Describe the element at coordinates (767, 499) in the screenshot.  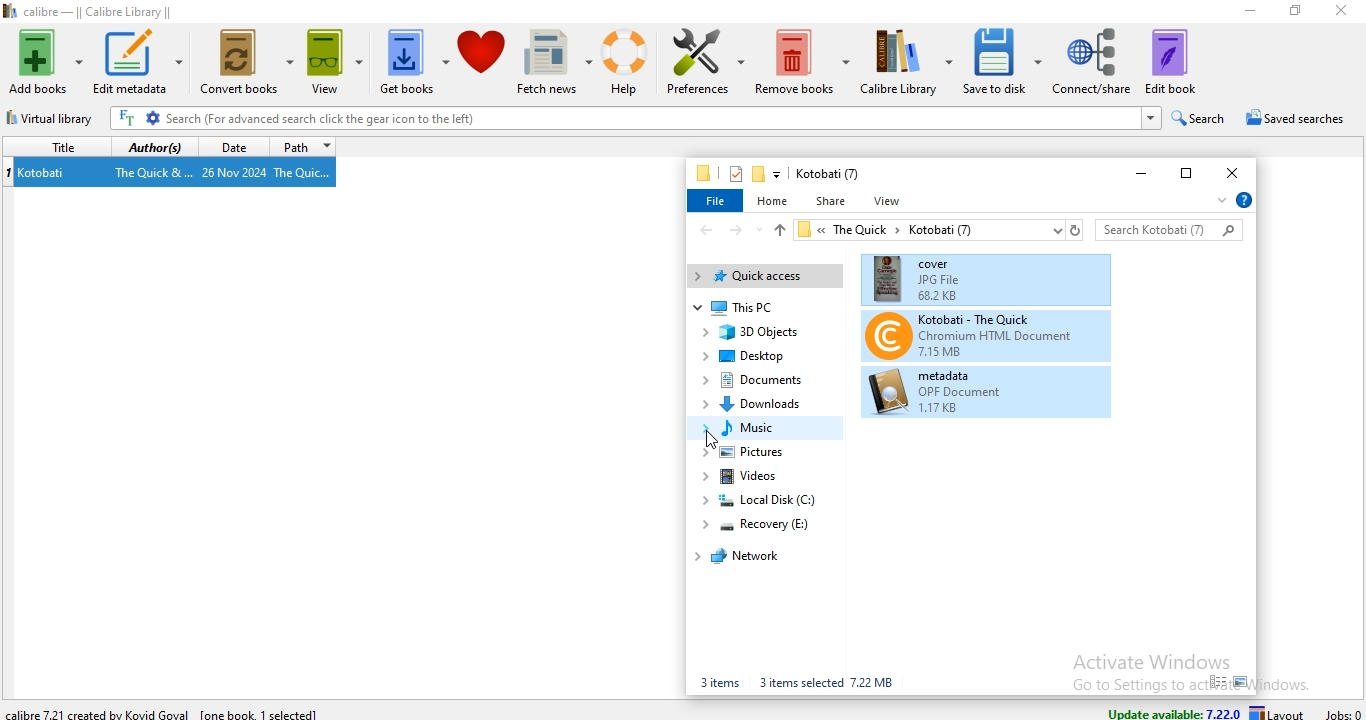
I see `local disk (C:)` at that location.